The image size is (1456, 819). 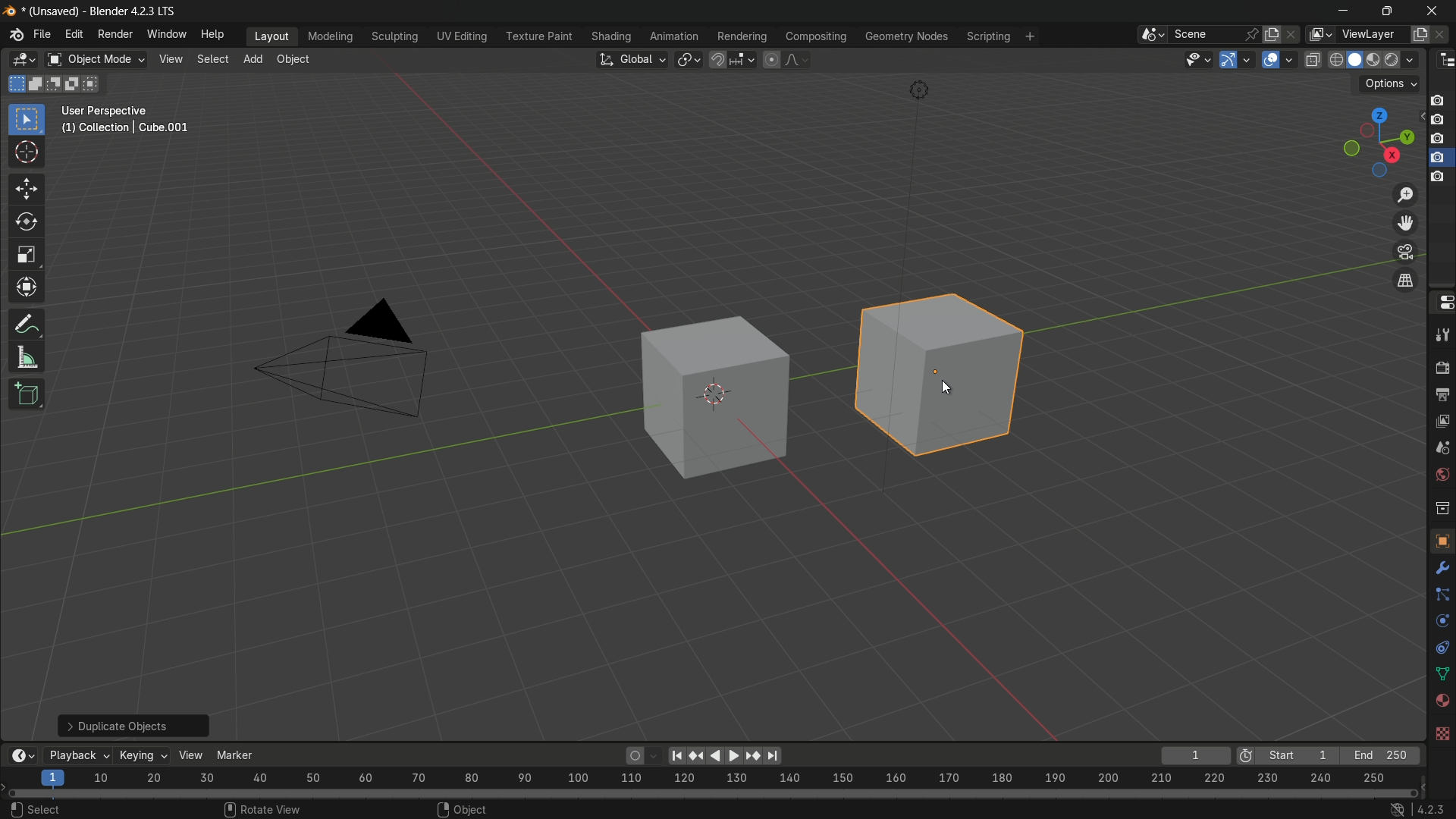 What do you see at coordinates (1389, 84) in the screenshot?
I see `options menu` at bounding box center [1389, 84].